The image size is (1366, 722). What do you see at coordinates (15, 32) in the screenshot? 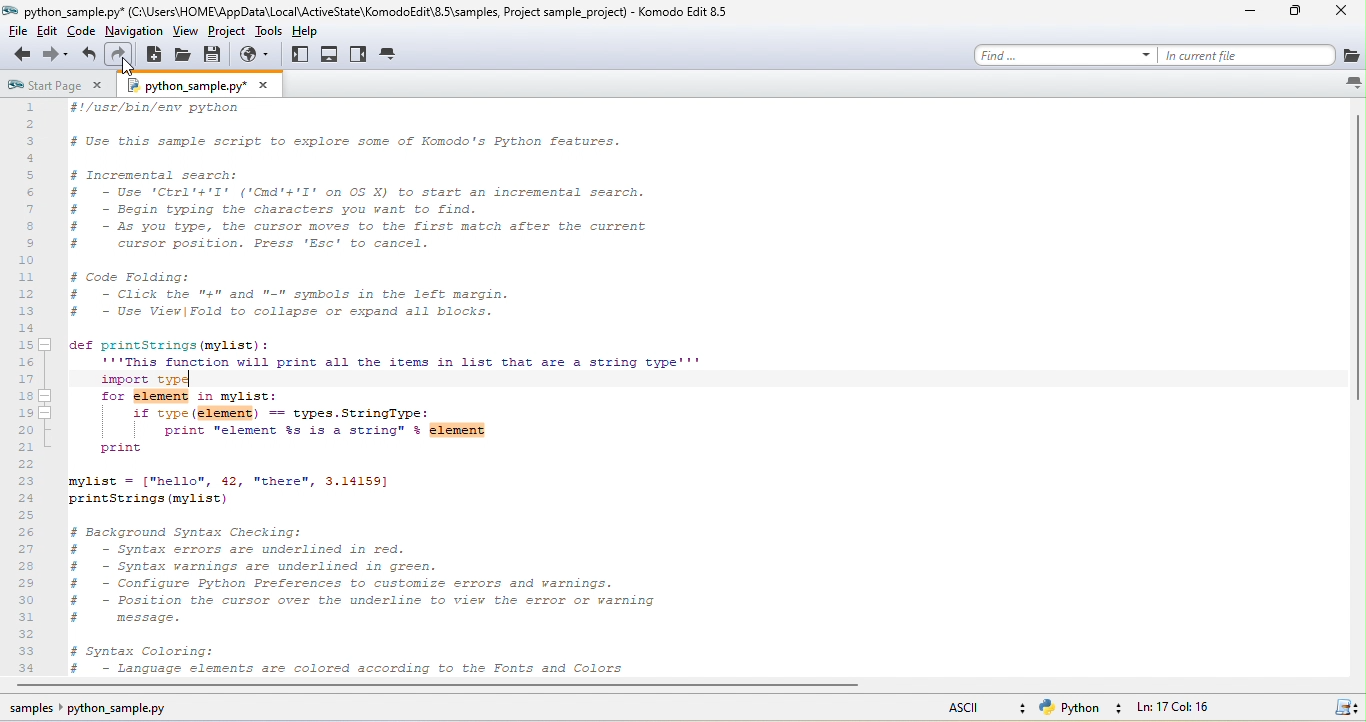
I see `file` at bounding box center [15, 32].